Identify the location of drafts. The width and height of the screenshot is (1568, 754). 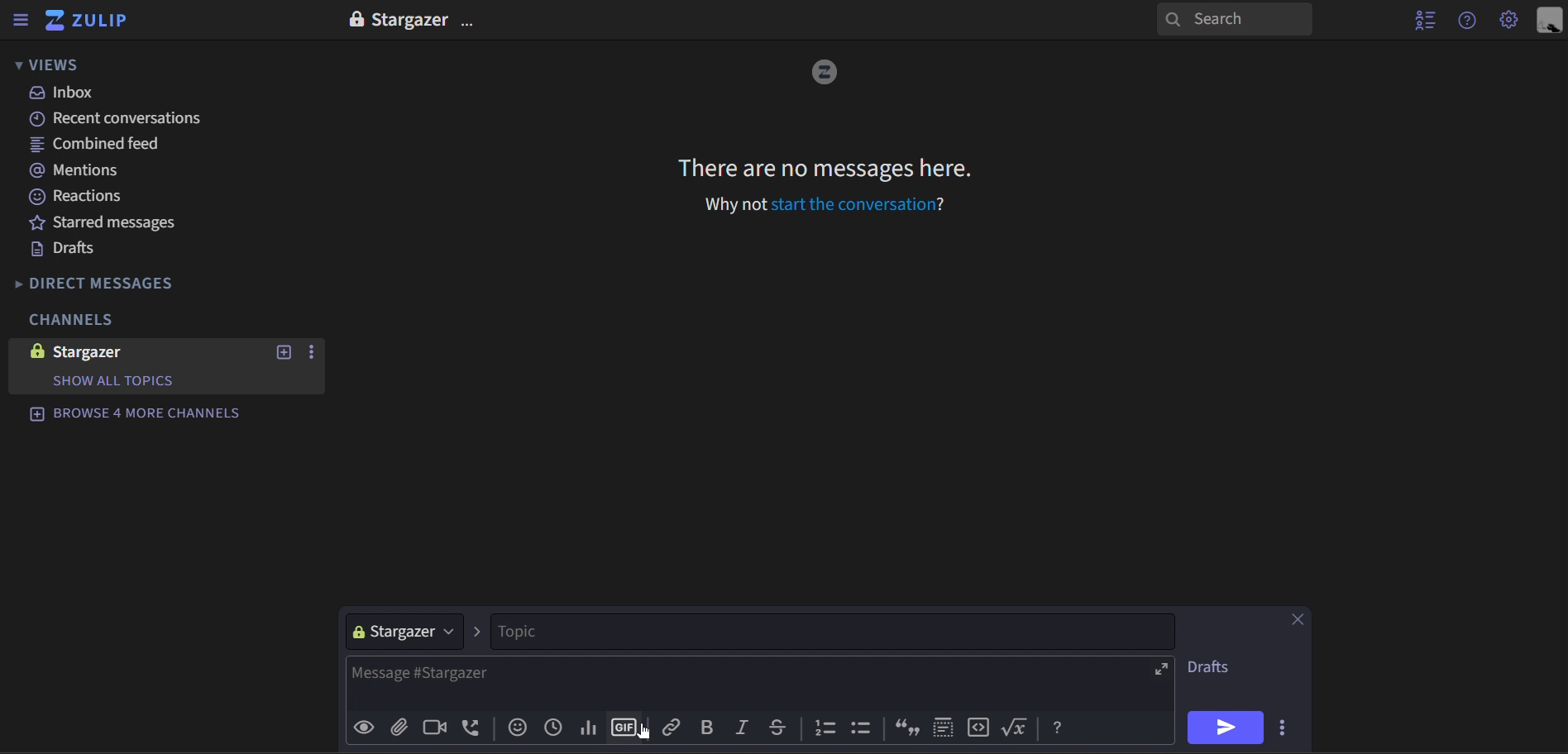
(117, 252).